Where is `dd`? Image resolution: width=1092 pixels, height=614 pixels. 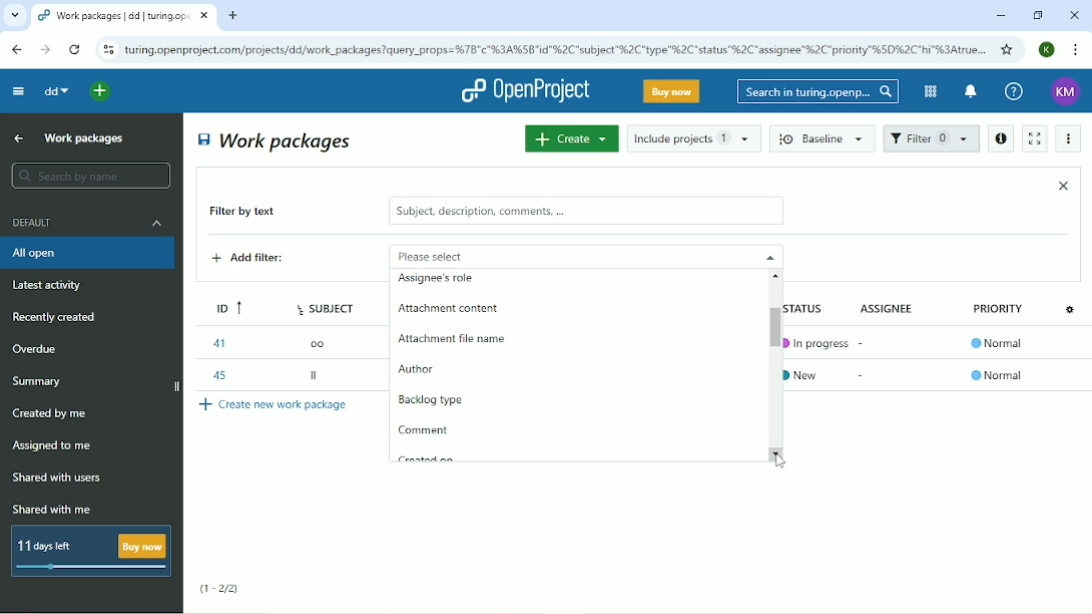 dd is located at coordinates (55, 91).